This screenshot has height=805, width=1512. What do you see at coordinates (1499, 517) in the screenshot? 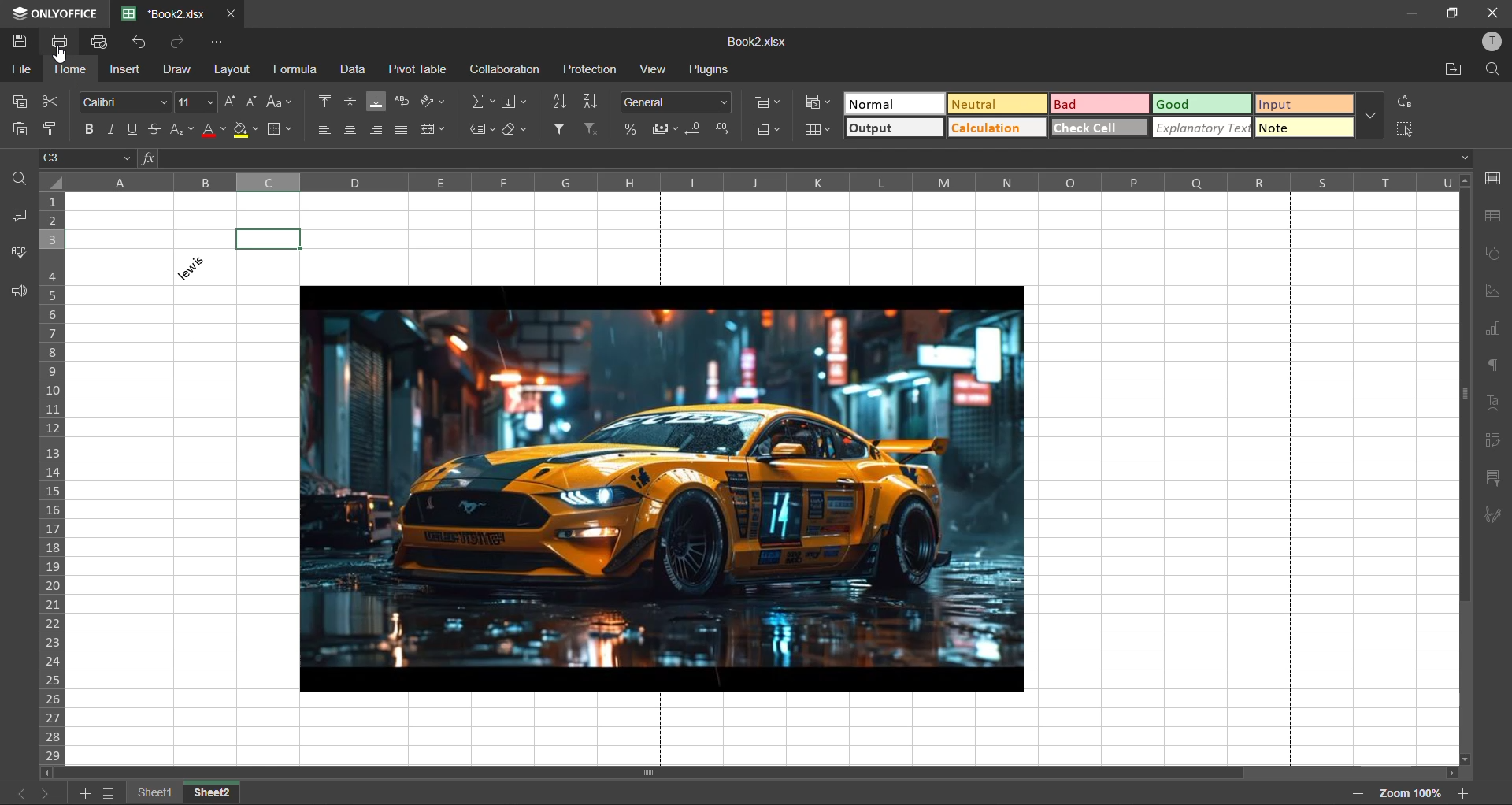
I see `signature` at bounding box center [1499, 517].